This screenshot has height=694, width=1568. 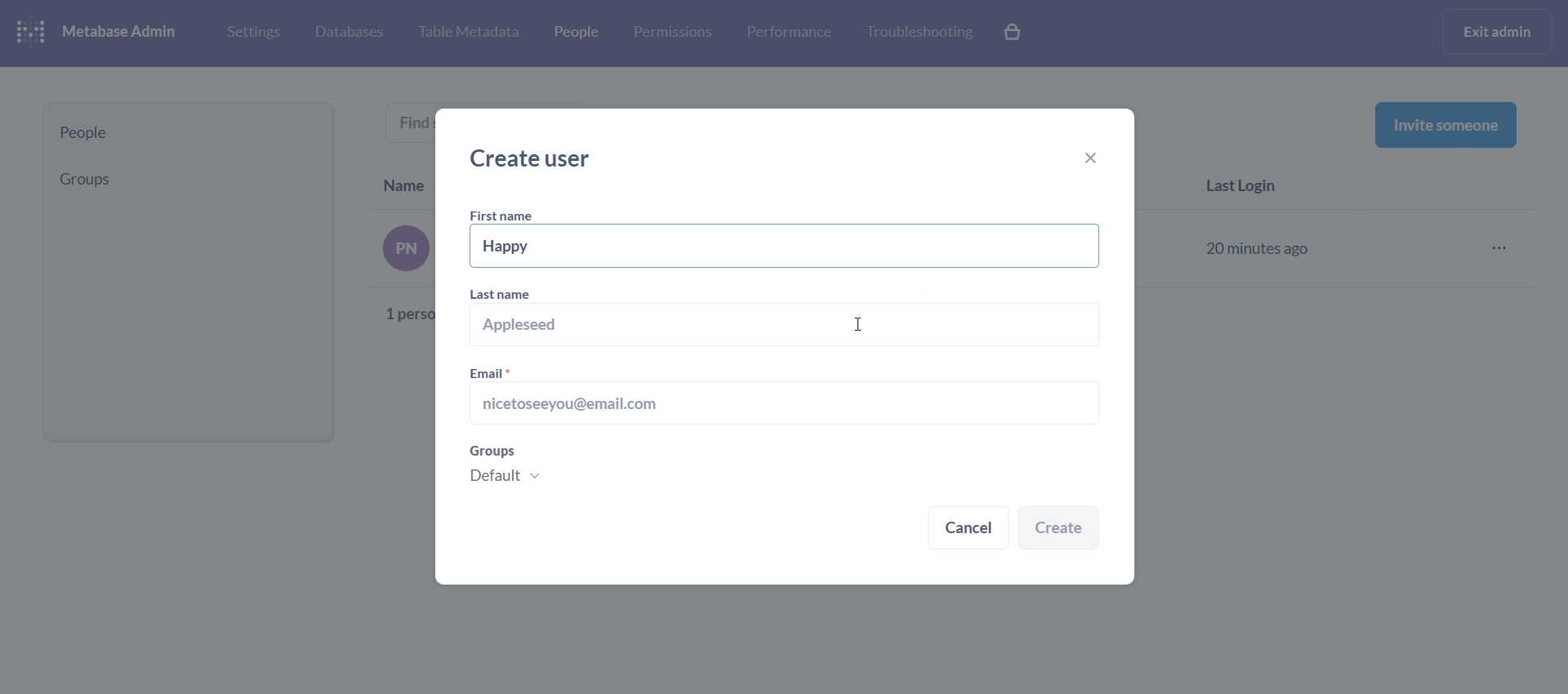 What do you see at coordinates (786, 320) in the screenshot?
I see `last name` at bounding box center [786, 320].